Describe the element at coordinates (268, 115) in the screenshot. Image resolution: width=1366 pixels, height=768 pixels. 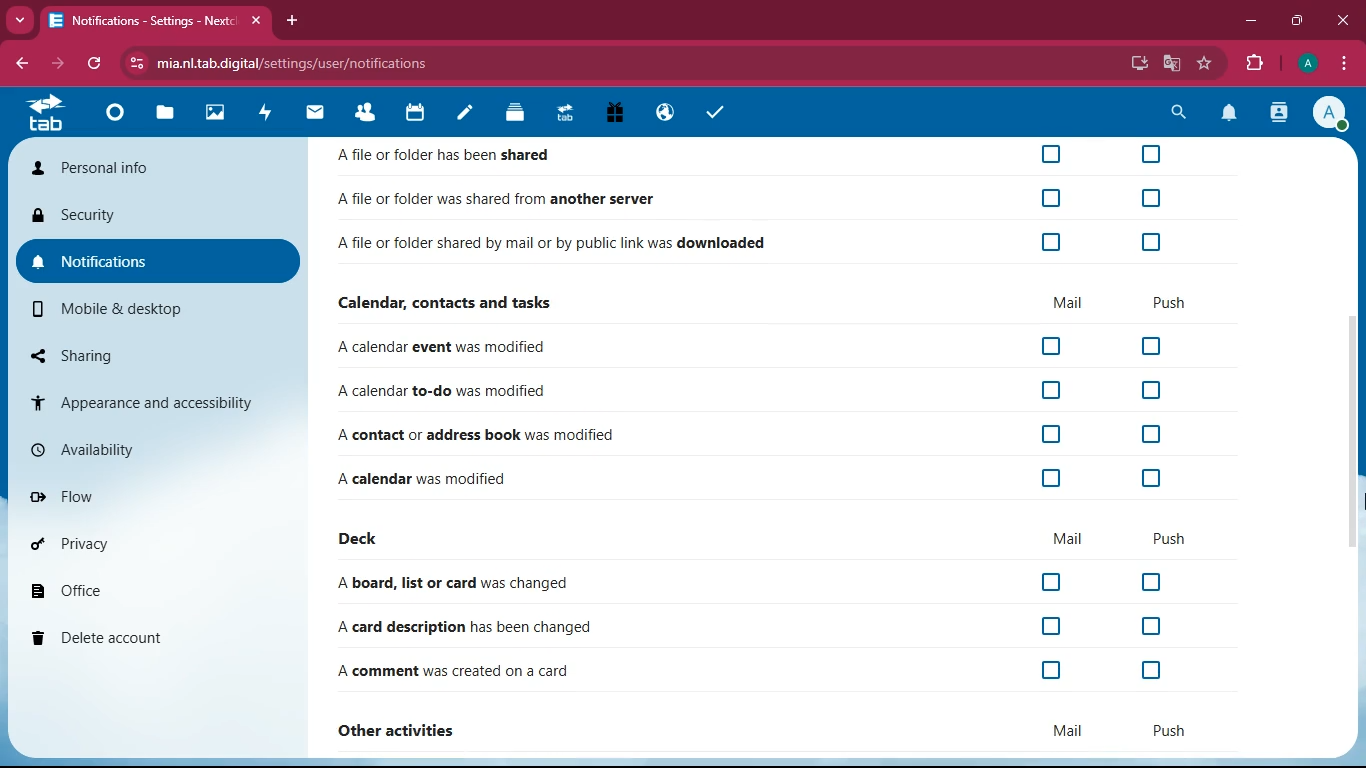
I see `activity` at that location.